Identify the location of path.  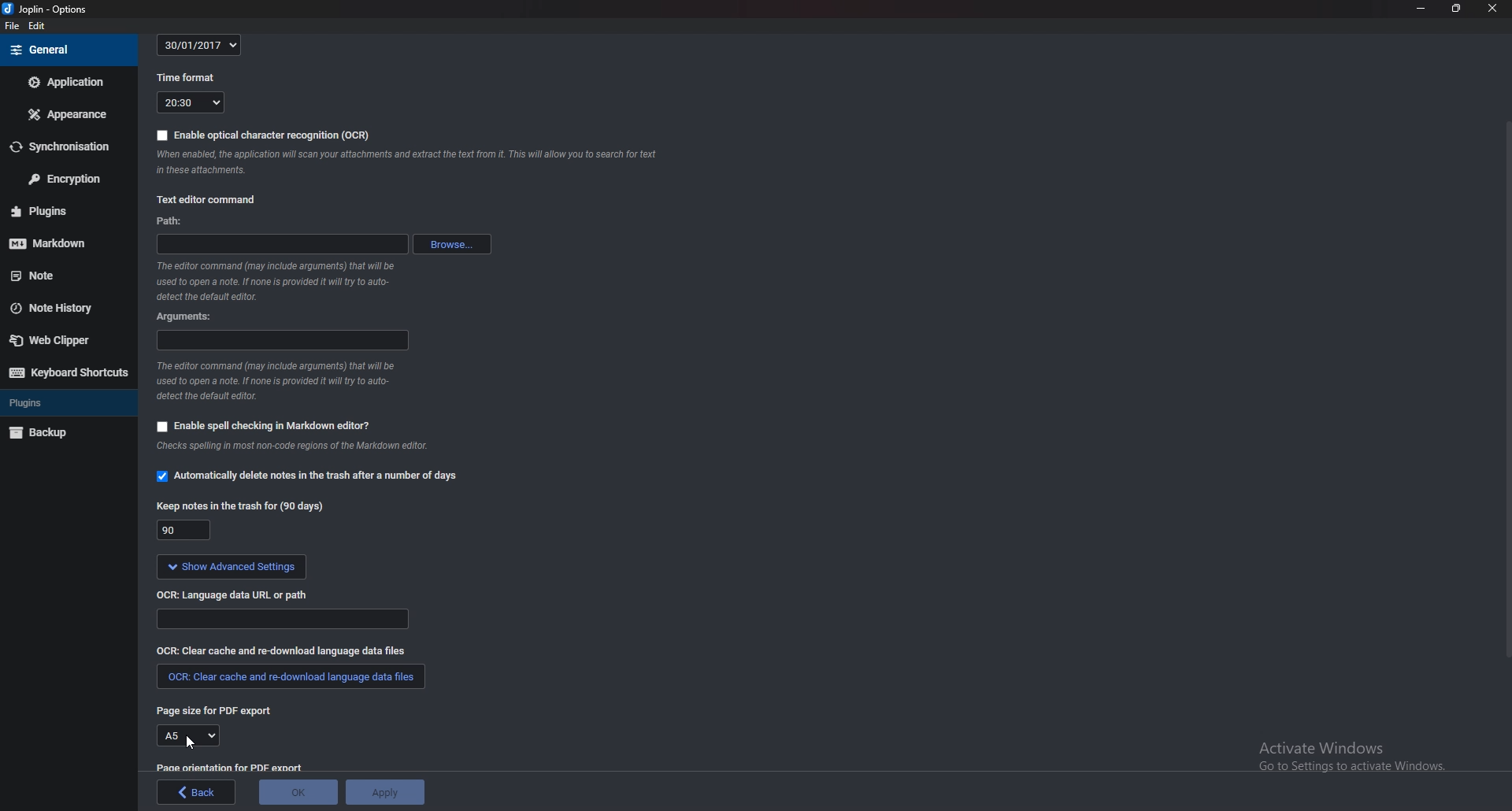
(281, 244).